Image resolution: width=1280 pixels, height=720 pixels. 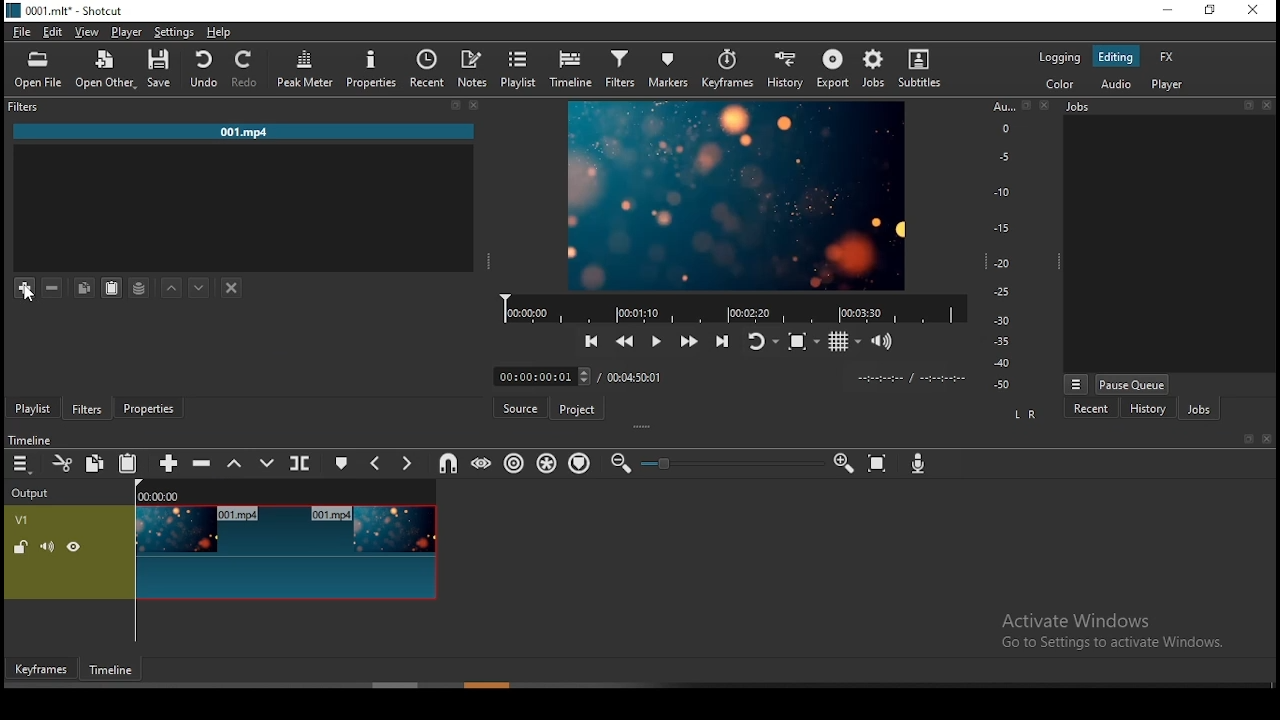 I want to click on Jobs, so click(x=1170, y=108).